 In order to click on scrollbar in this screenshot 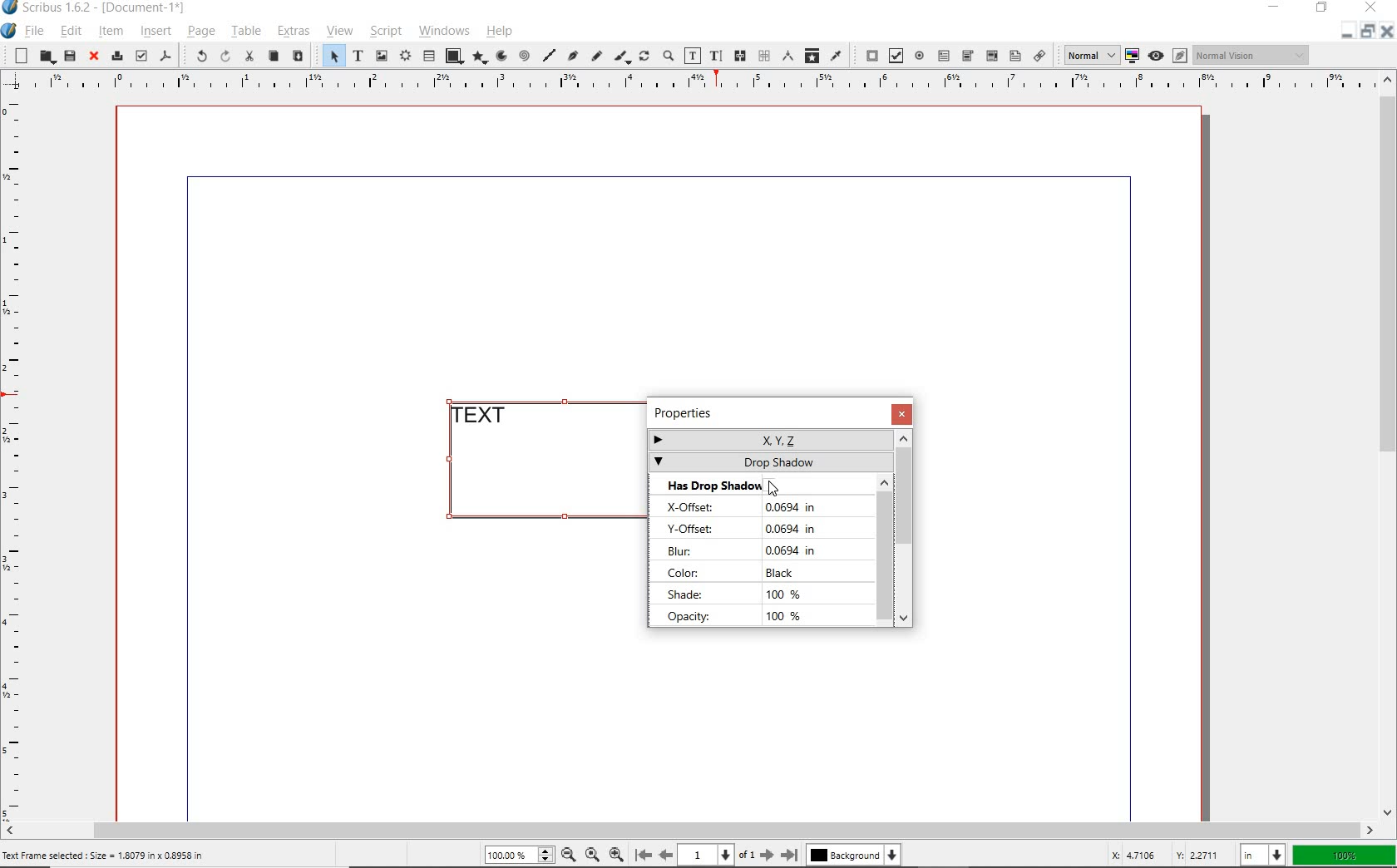, I will do `click(1389, 445)`.